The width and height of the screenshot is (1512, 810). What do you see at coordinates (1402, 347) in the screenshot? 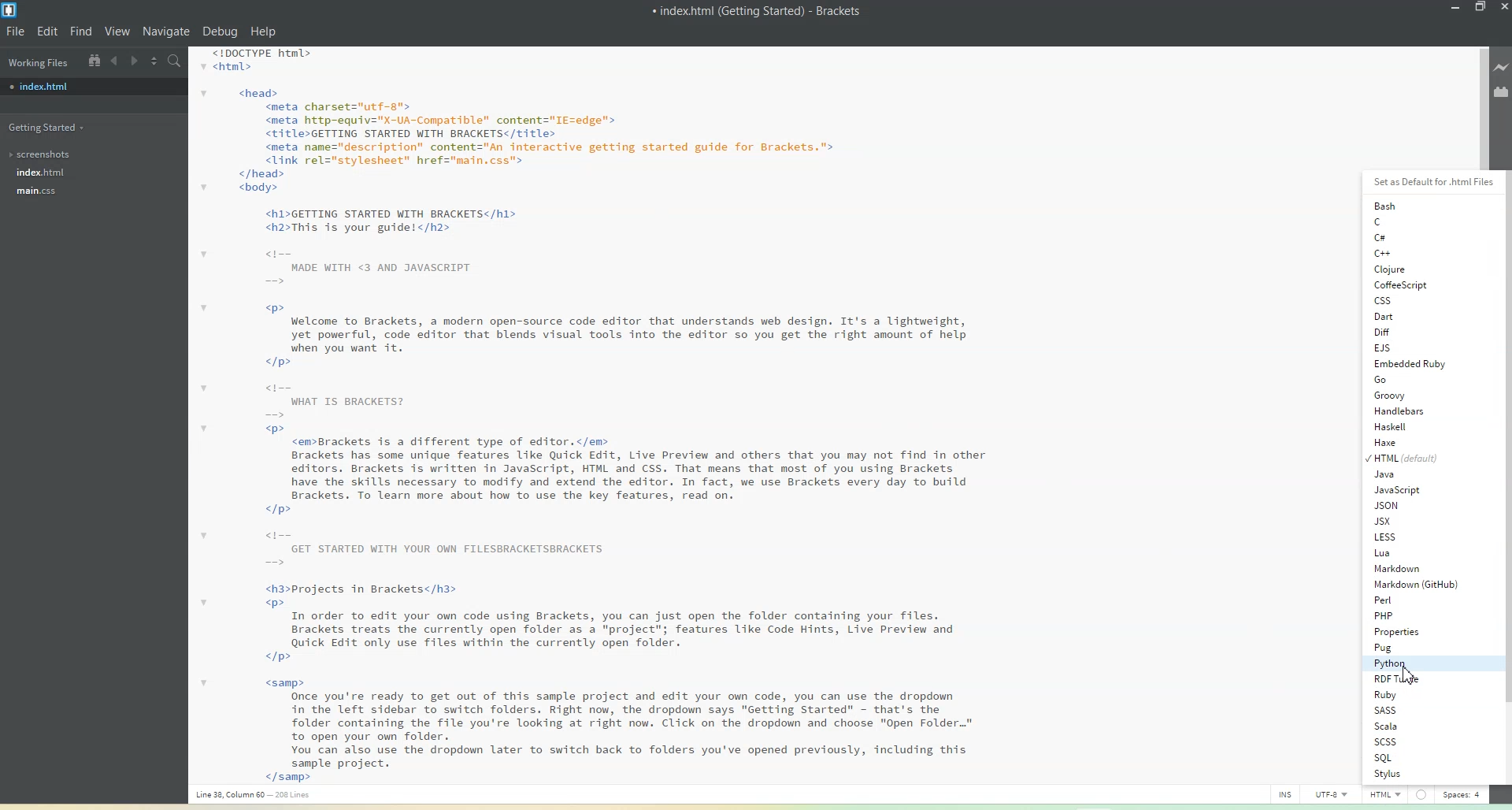
I see `EJS` at bounding box center [1402, 347].